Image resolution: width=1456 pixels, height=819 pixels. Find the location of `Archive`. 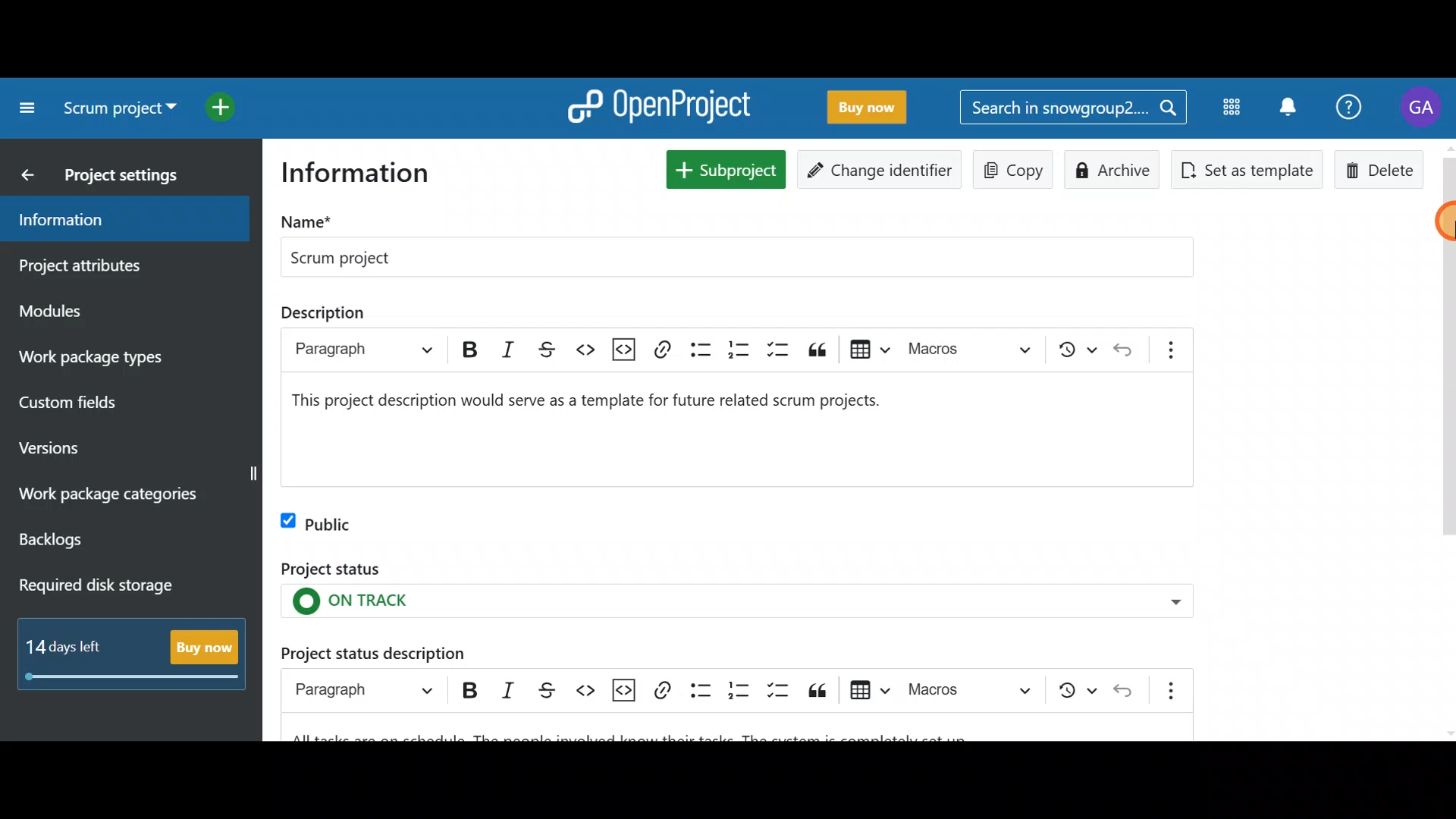

Archive is located at coordinates (1119, 167).